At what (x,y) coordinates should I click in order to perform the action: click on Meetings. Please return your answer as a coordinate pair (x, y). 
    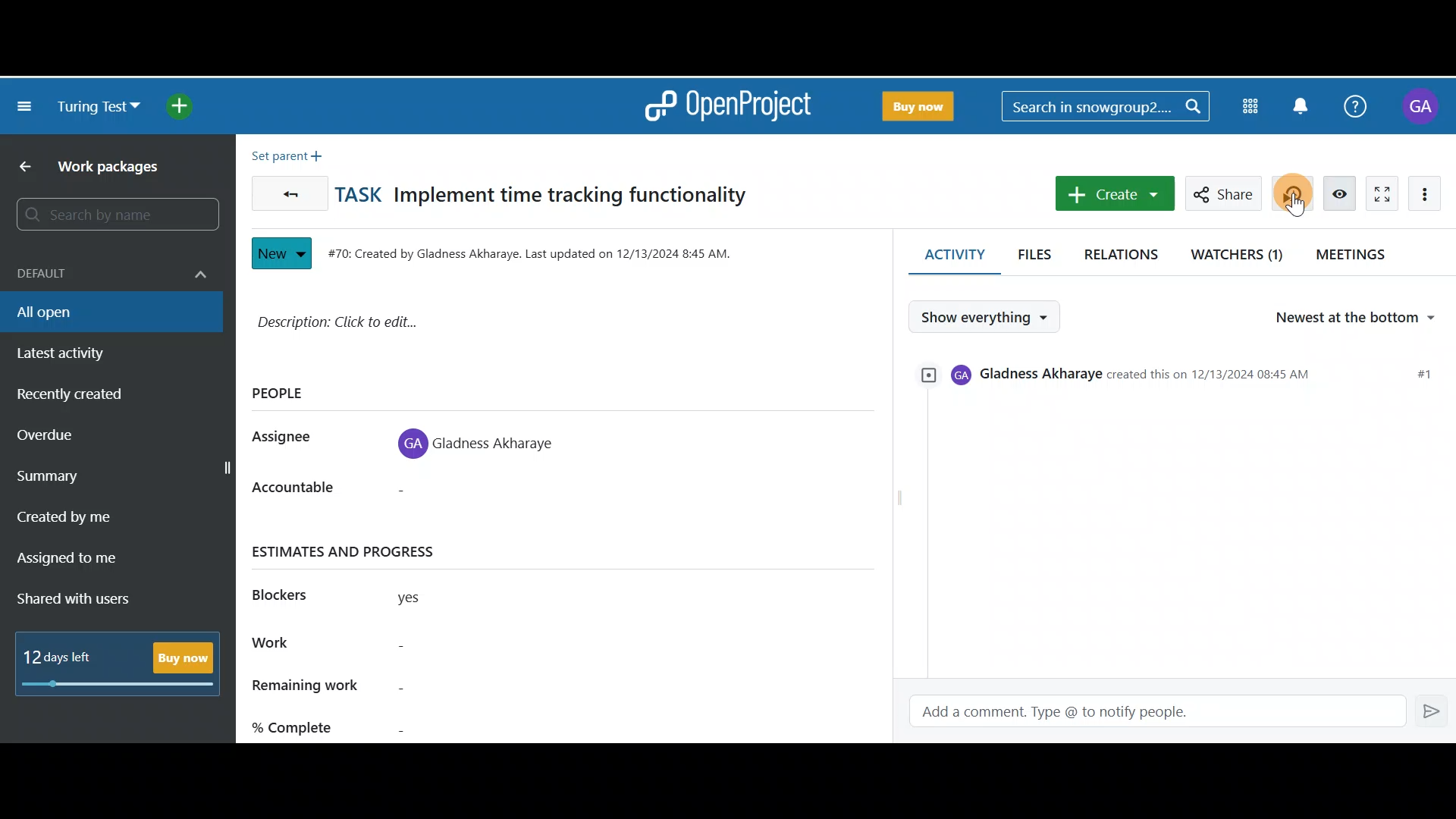
    Looking at the image, I should click on (1356, 253).